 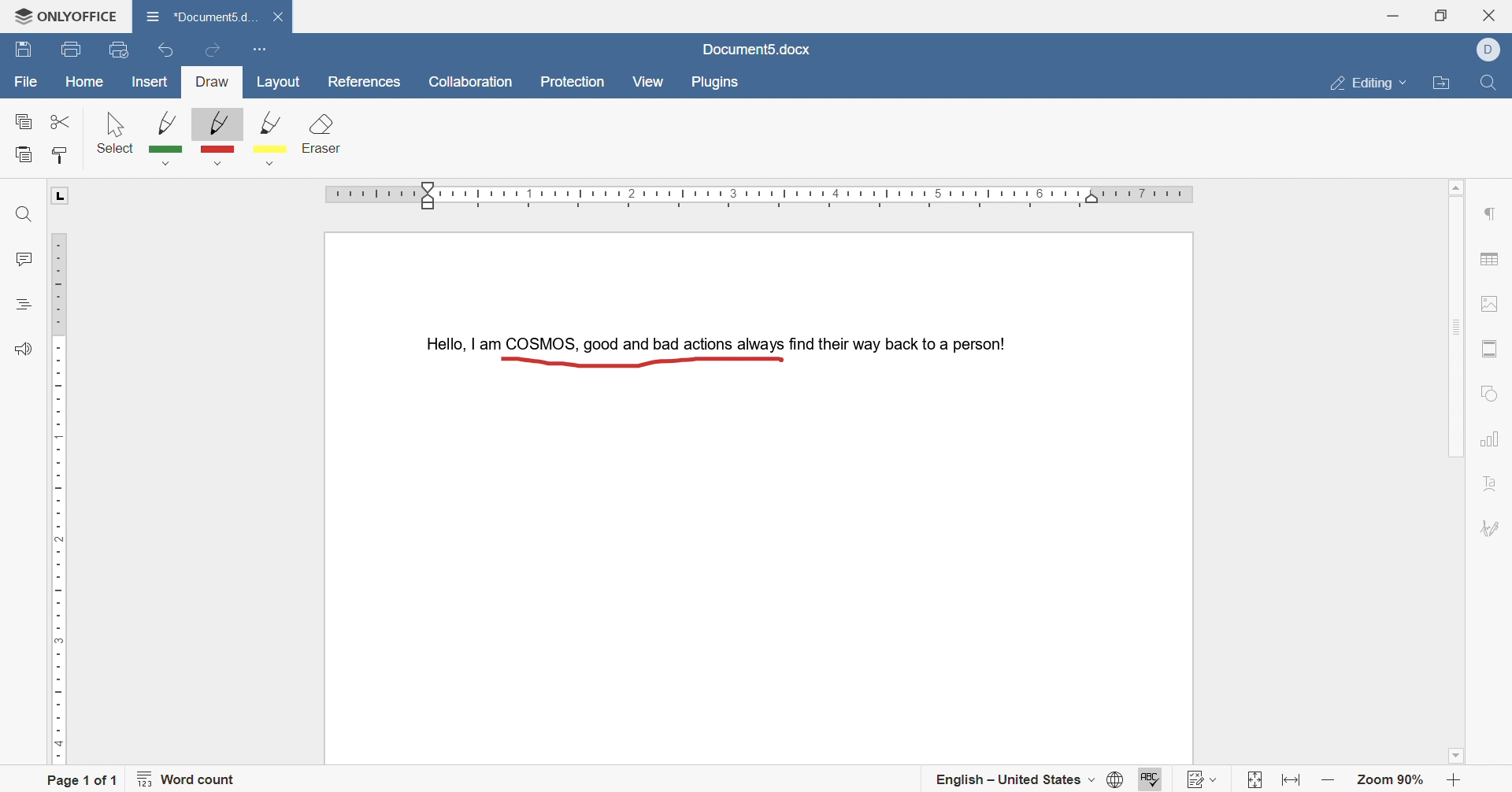 I want to click on find, so click(x=1486, y=87).